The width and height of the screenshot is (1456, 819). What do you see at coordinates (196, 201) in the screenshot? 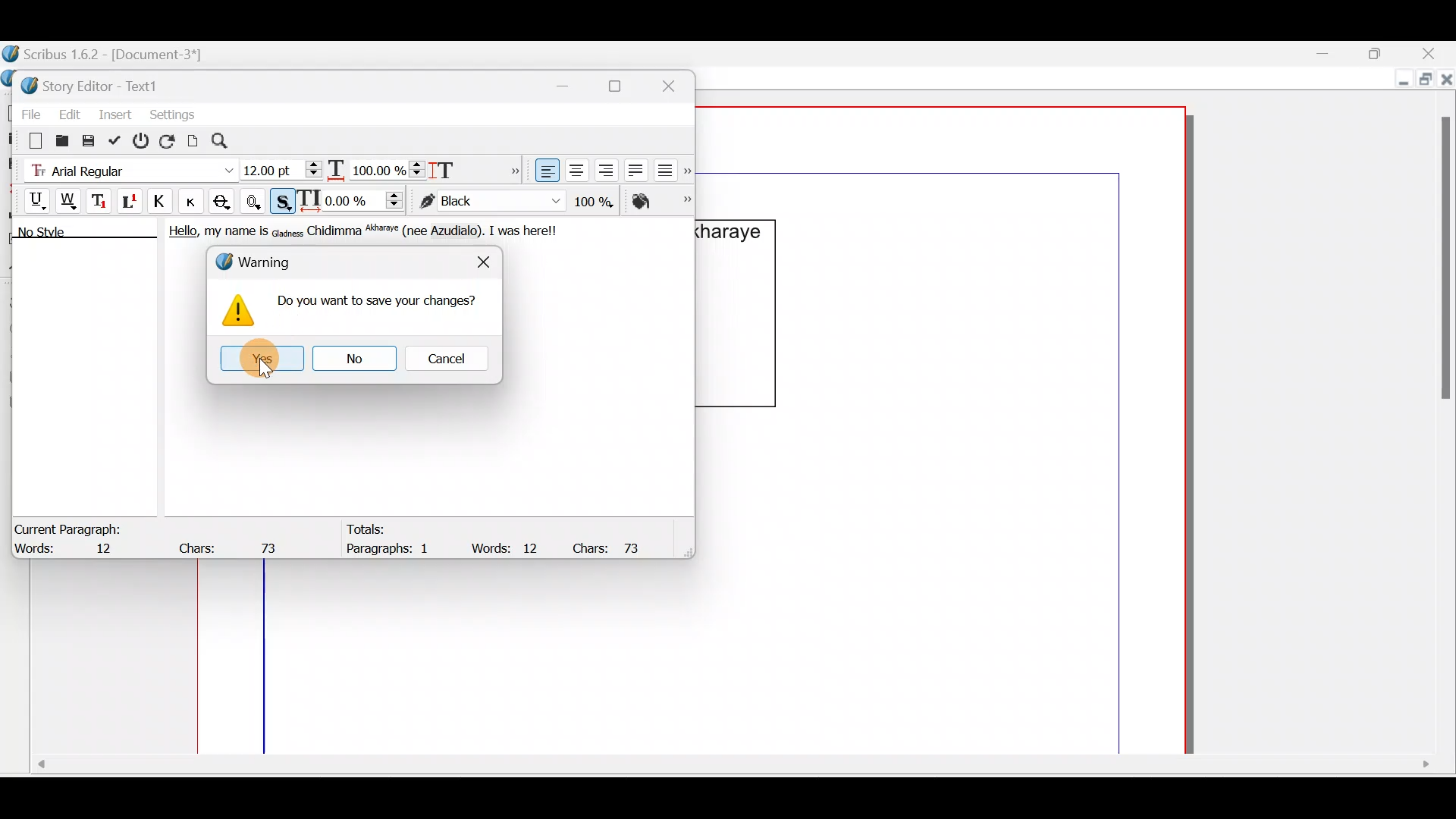
I see `` at bounding box center [196, 201].